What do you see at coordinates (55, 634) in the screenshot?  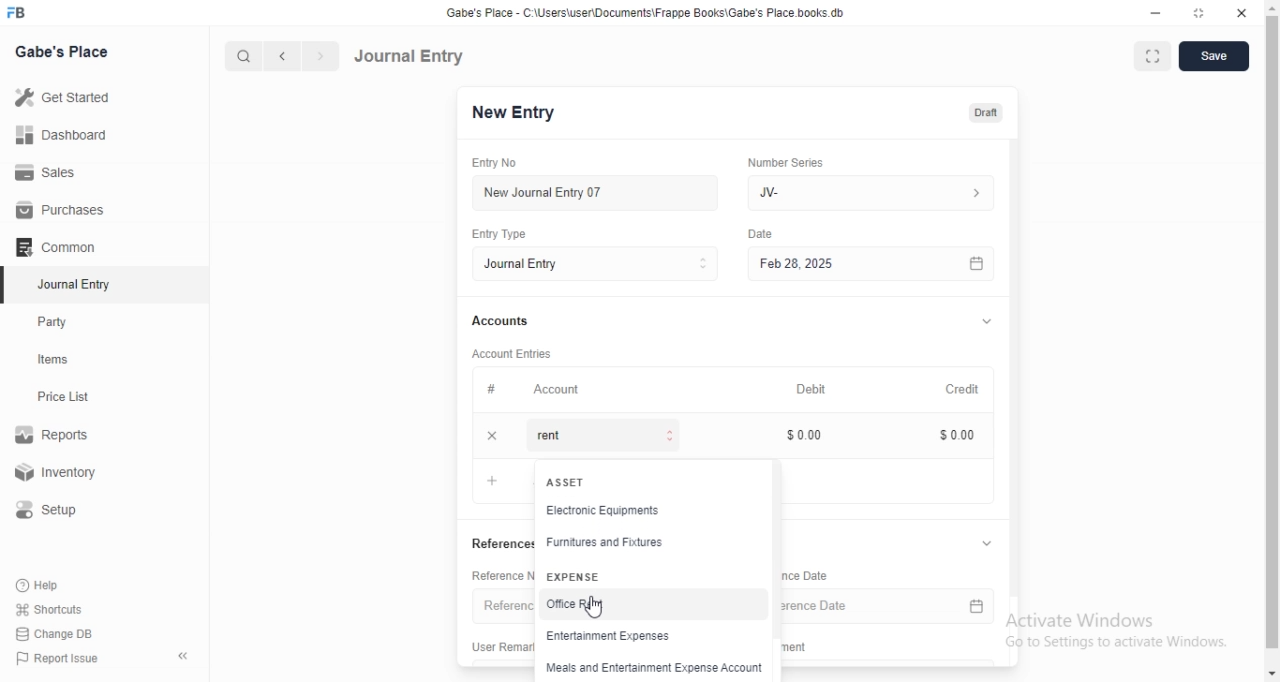 I see `‘Change DB` at bounding box center [55, 634].